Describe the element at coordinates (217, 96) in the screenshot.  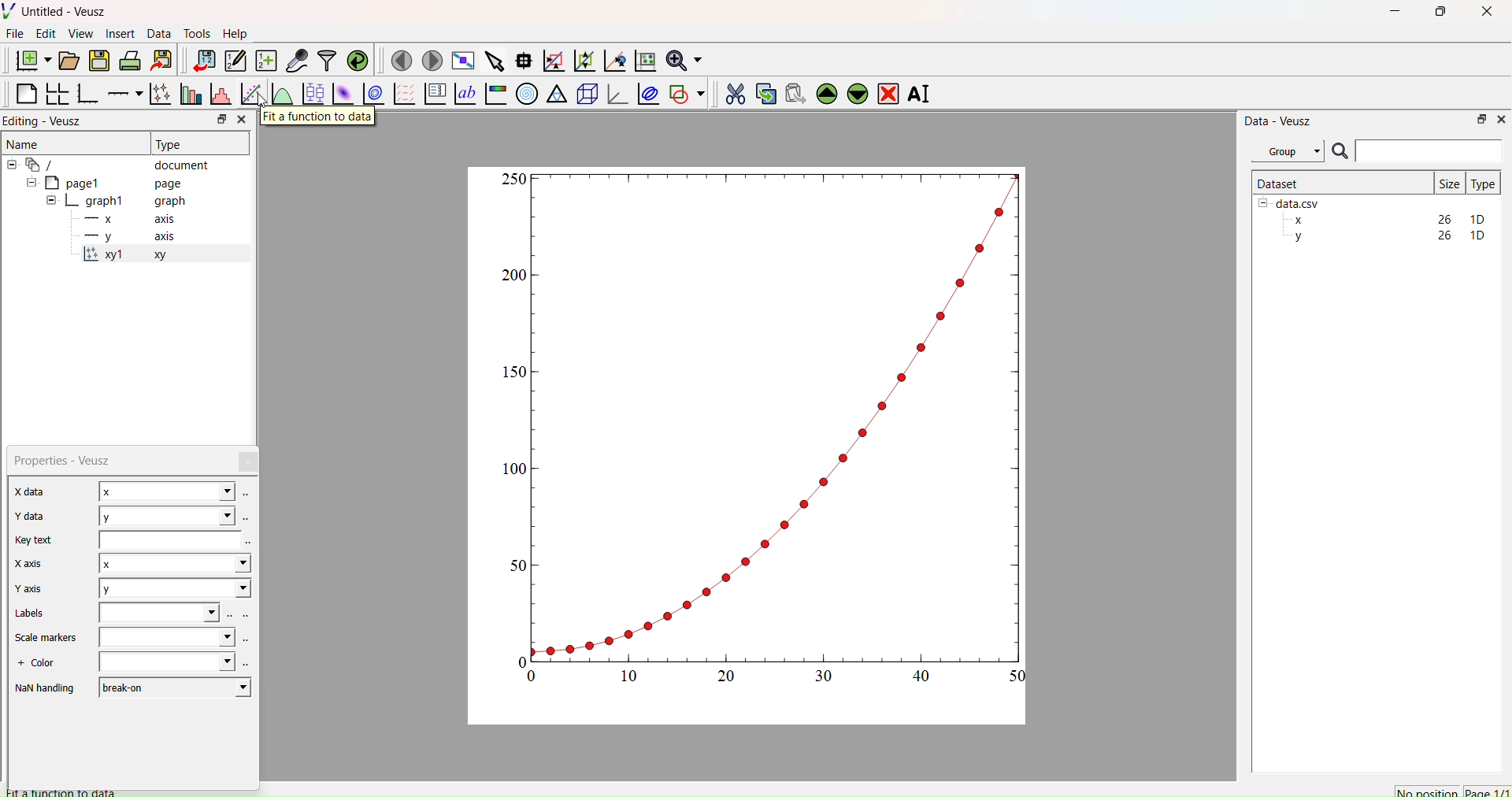
I see `Histogram of a dataset` at that location.